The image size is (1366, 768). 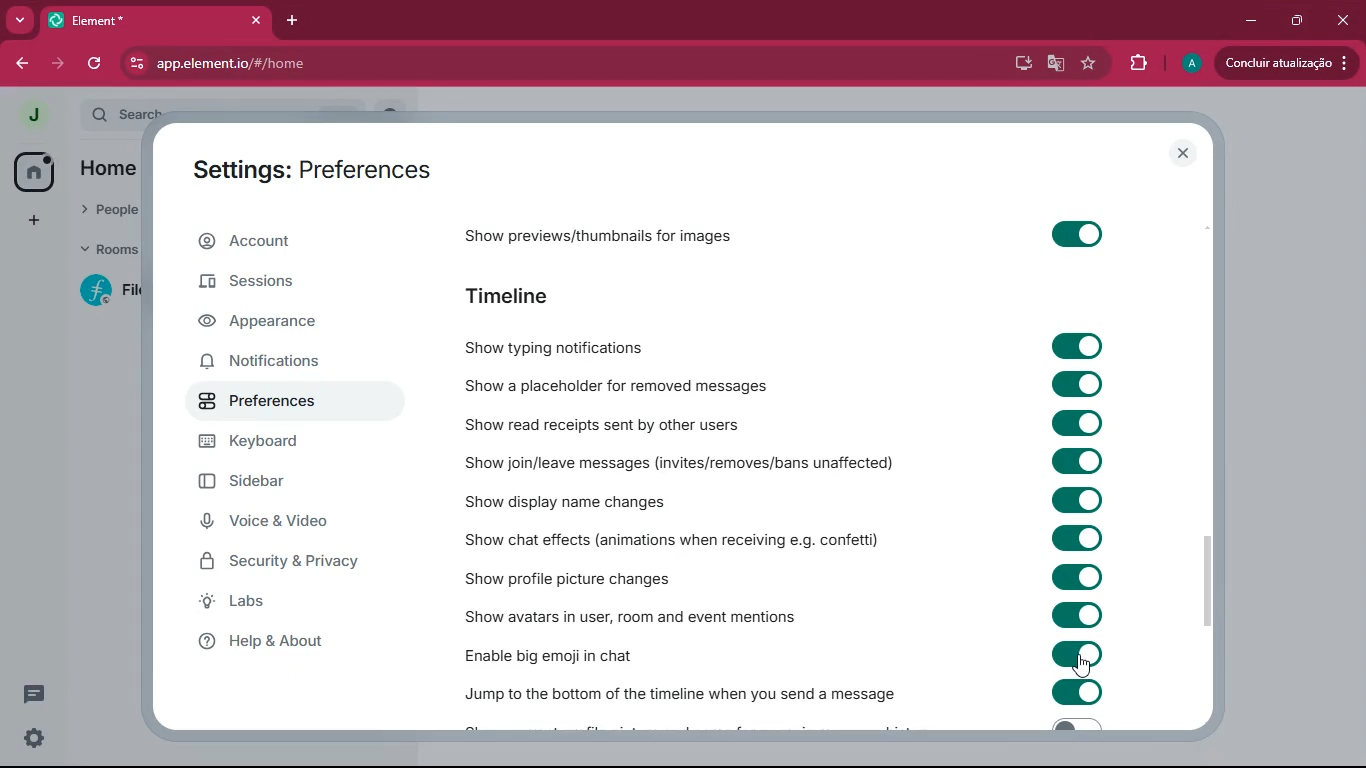 What do you see at coordinates (495, 65) in the screenshot?
I see `app.element.io/#/home` at bounding box center [495, 65].